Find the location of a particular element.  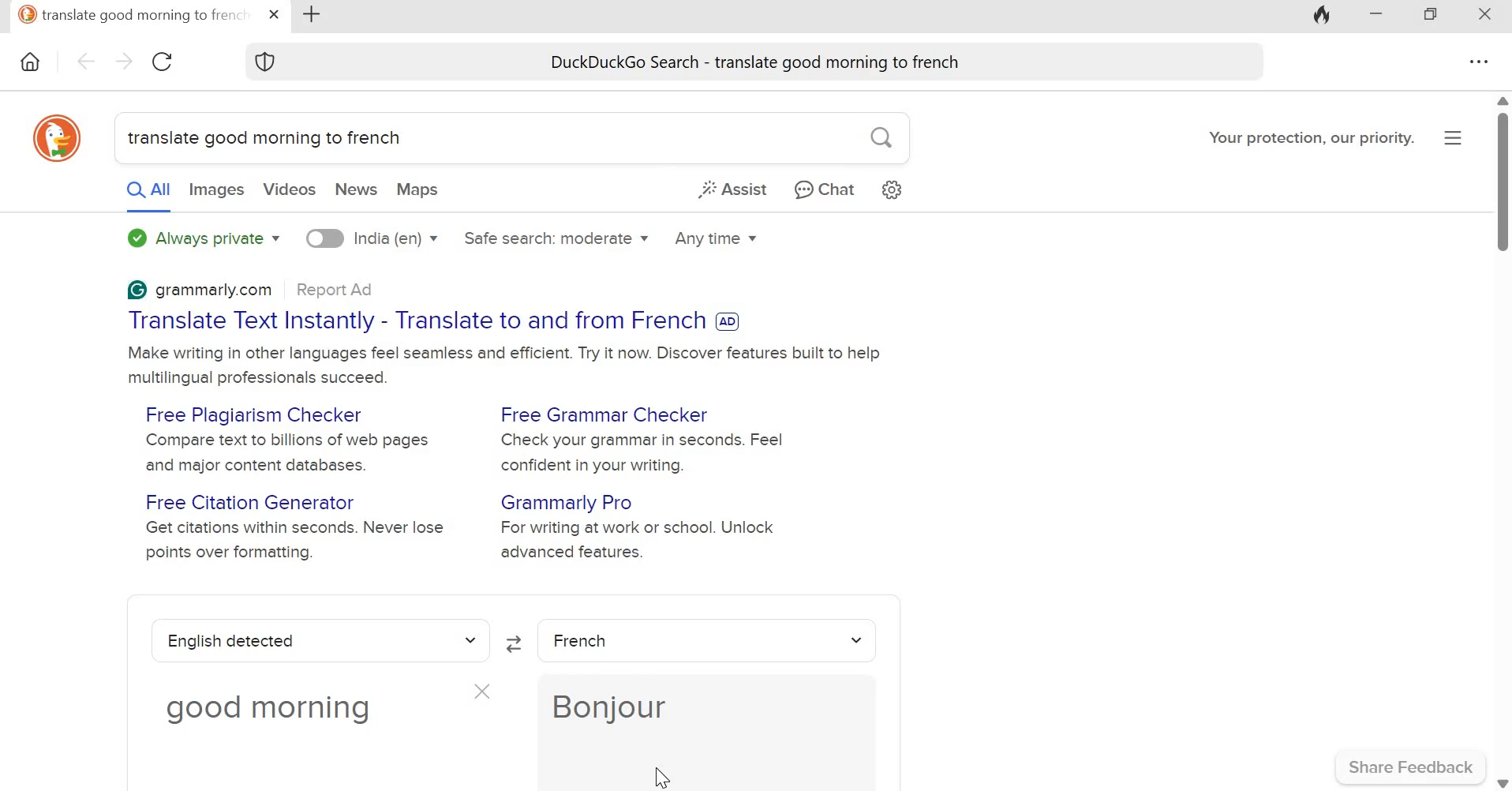

Your protection, our priority is located at coordinates (1302, 140).